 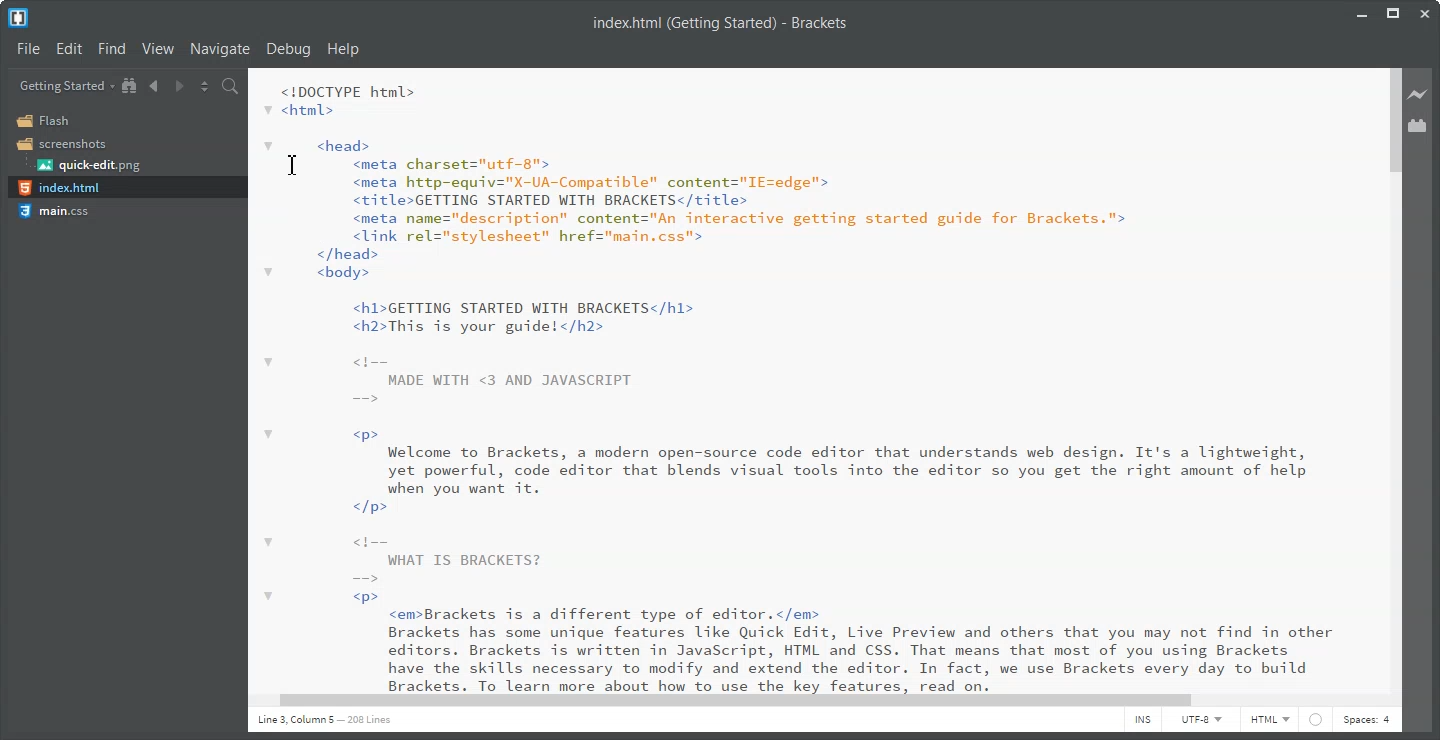 I want to click on HTML, so click(x=1272, y=720).